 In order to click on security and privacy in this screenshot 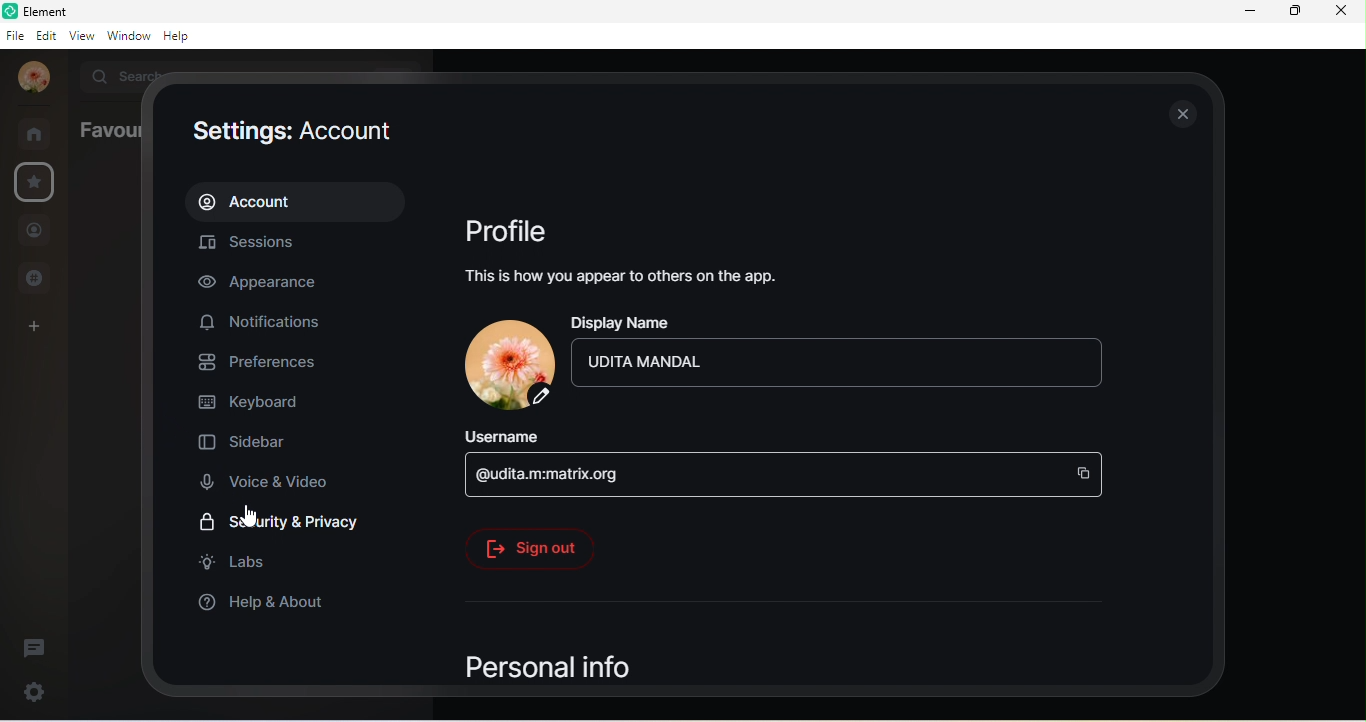, I will do `click(280, 525)`.